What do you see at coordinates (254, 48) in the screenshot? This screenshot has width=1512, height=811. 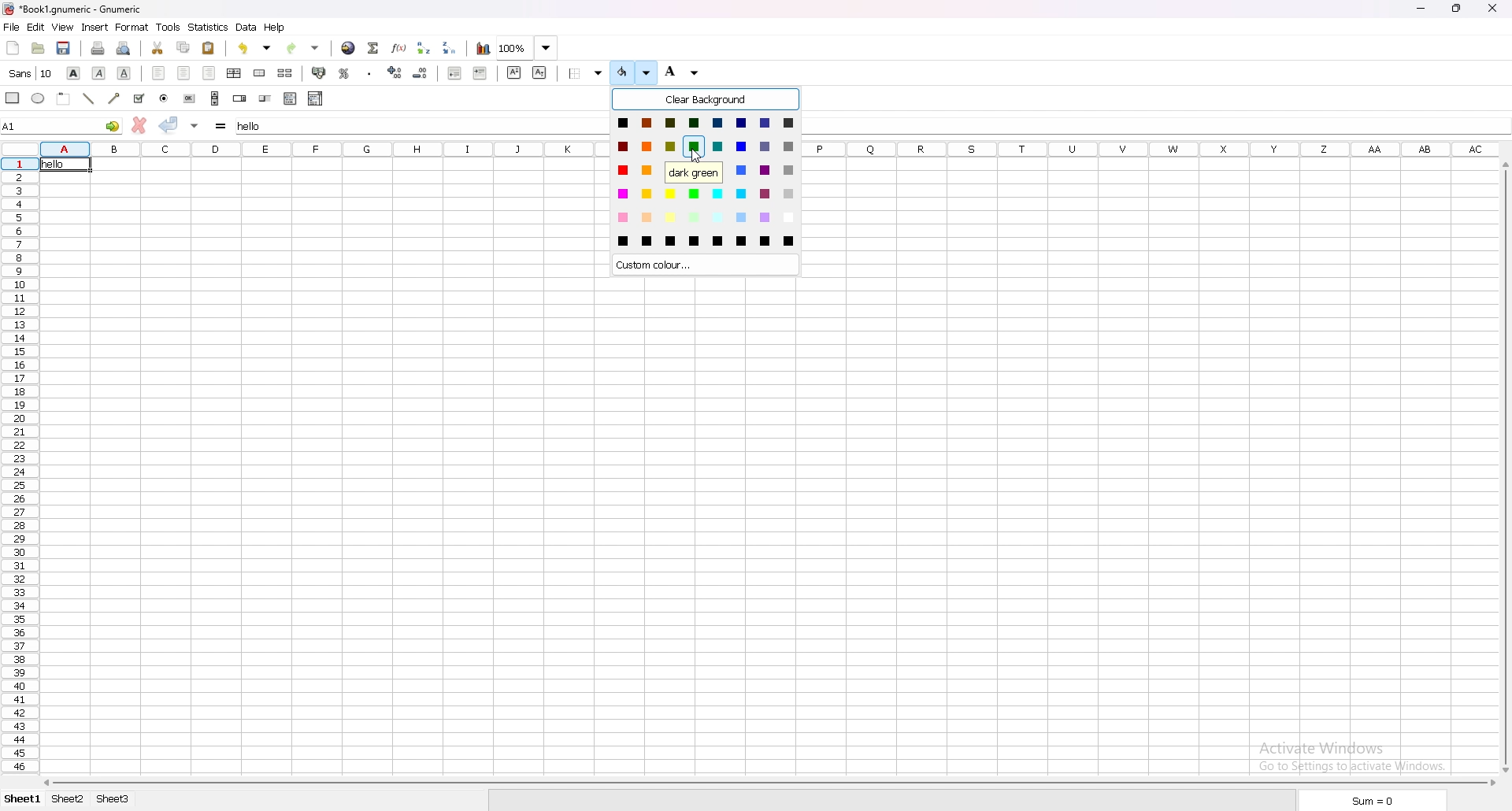 I see `undo` at bounding box center [254, 48].